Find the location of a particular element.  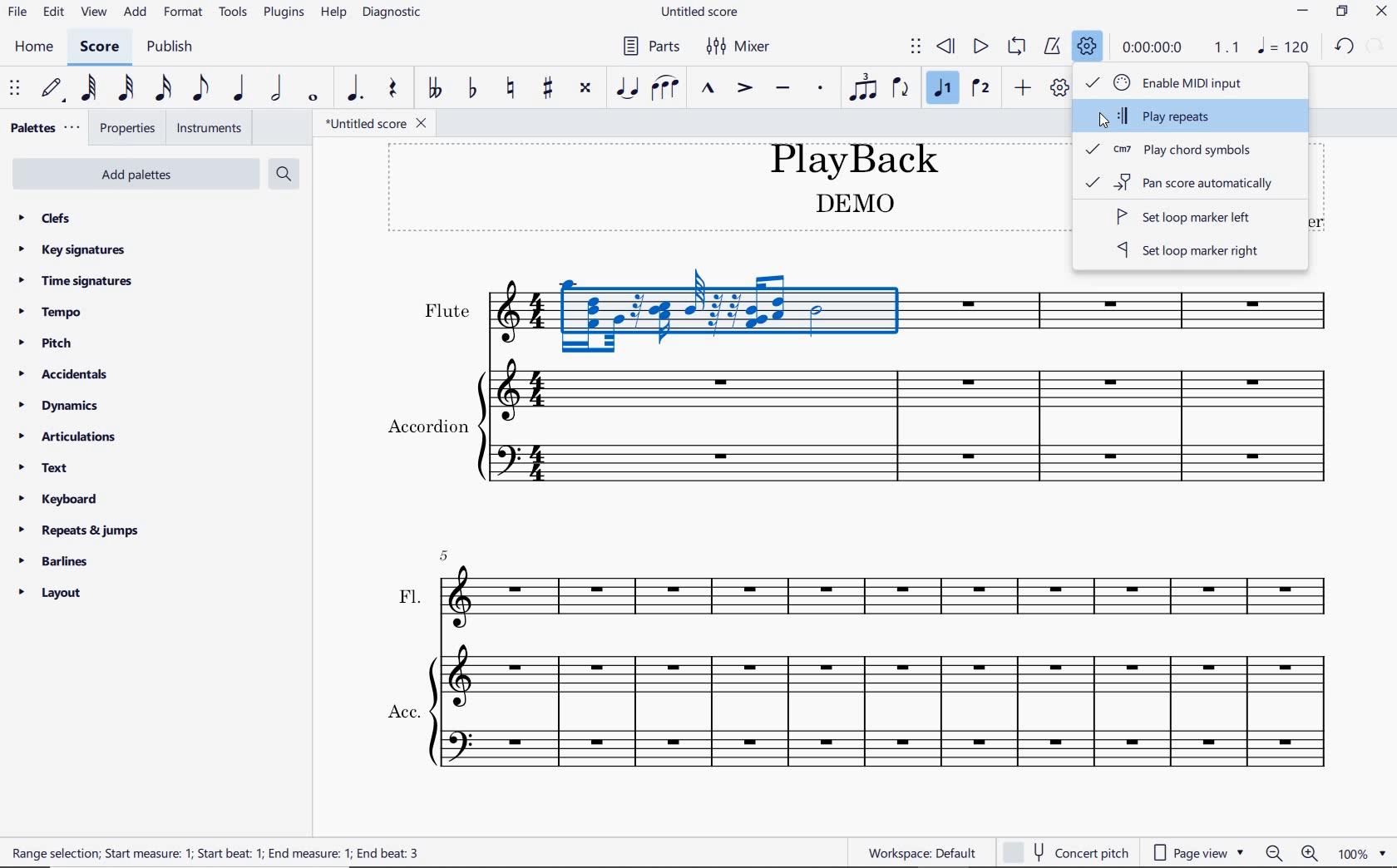

accidentals is located at coordinates (66, 376).